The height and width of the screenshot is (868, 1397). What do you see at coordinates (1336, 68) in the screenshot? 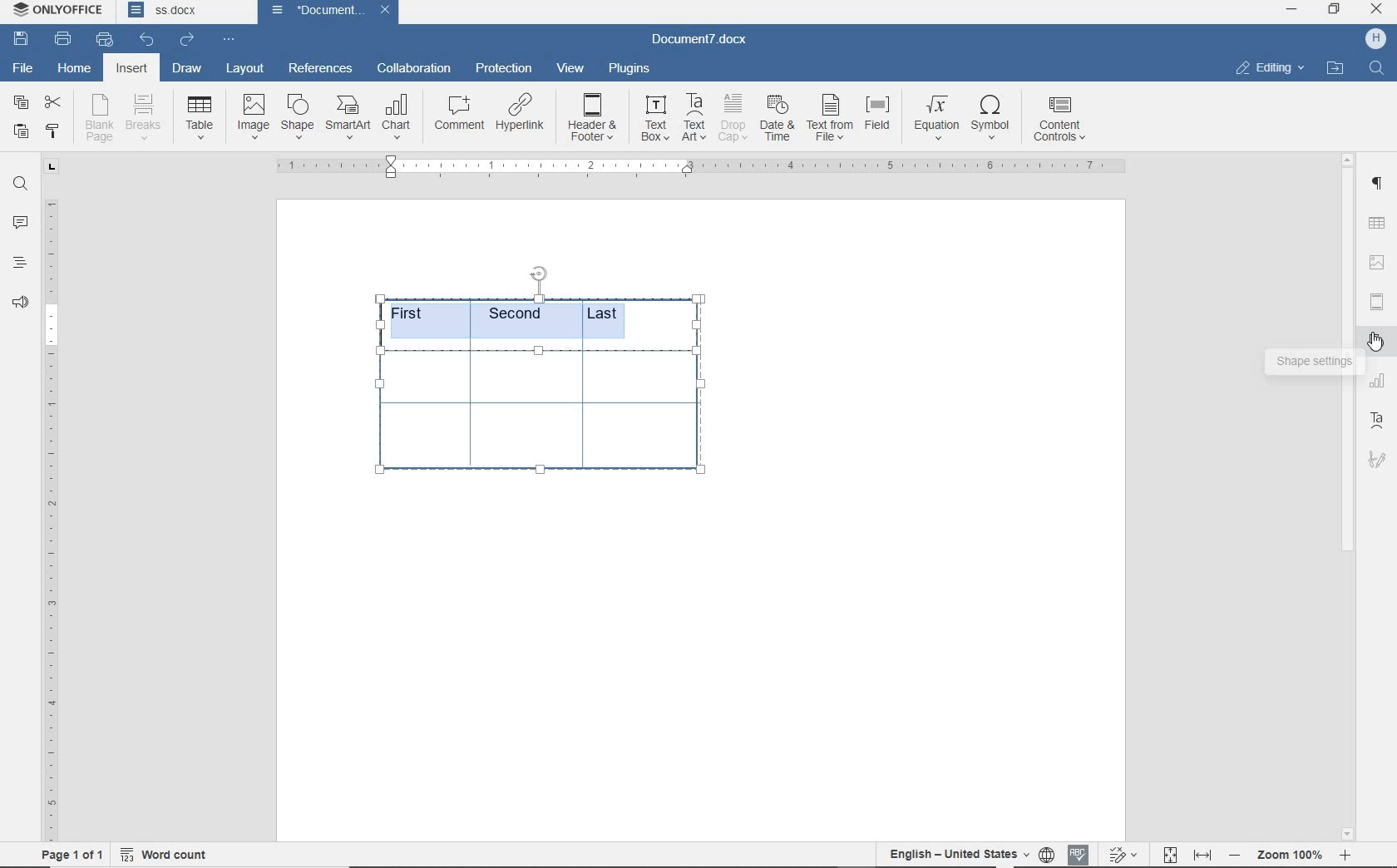
I see `OPEN FILE LOCATION` at bounding box center [1336, 68].